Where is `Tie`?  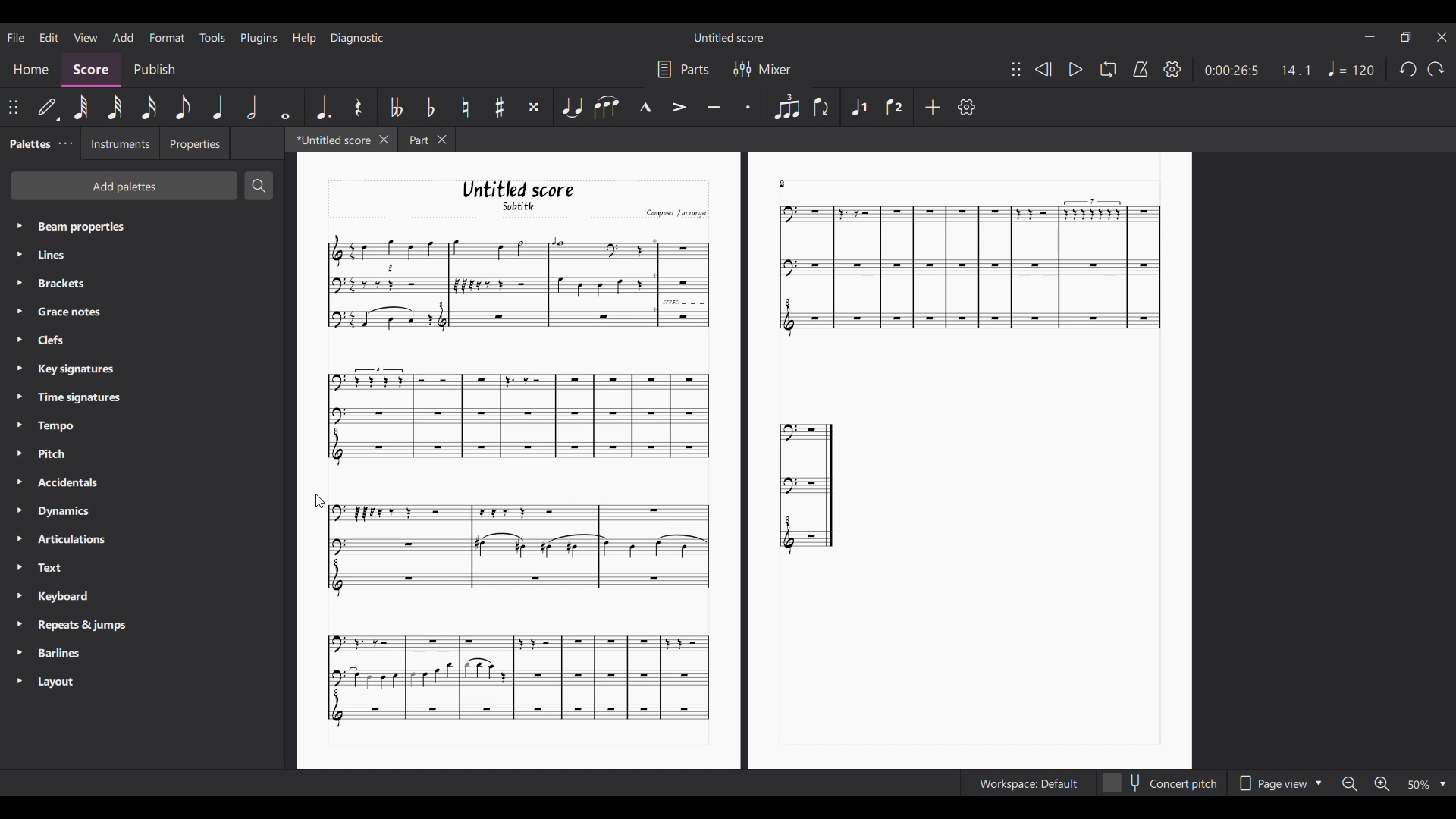 Tie is located at coordinates (572, 106).